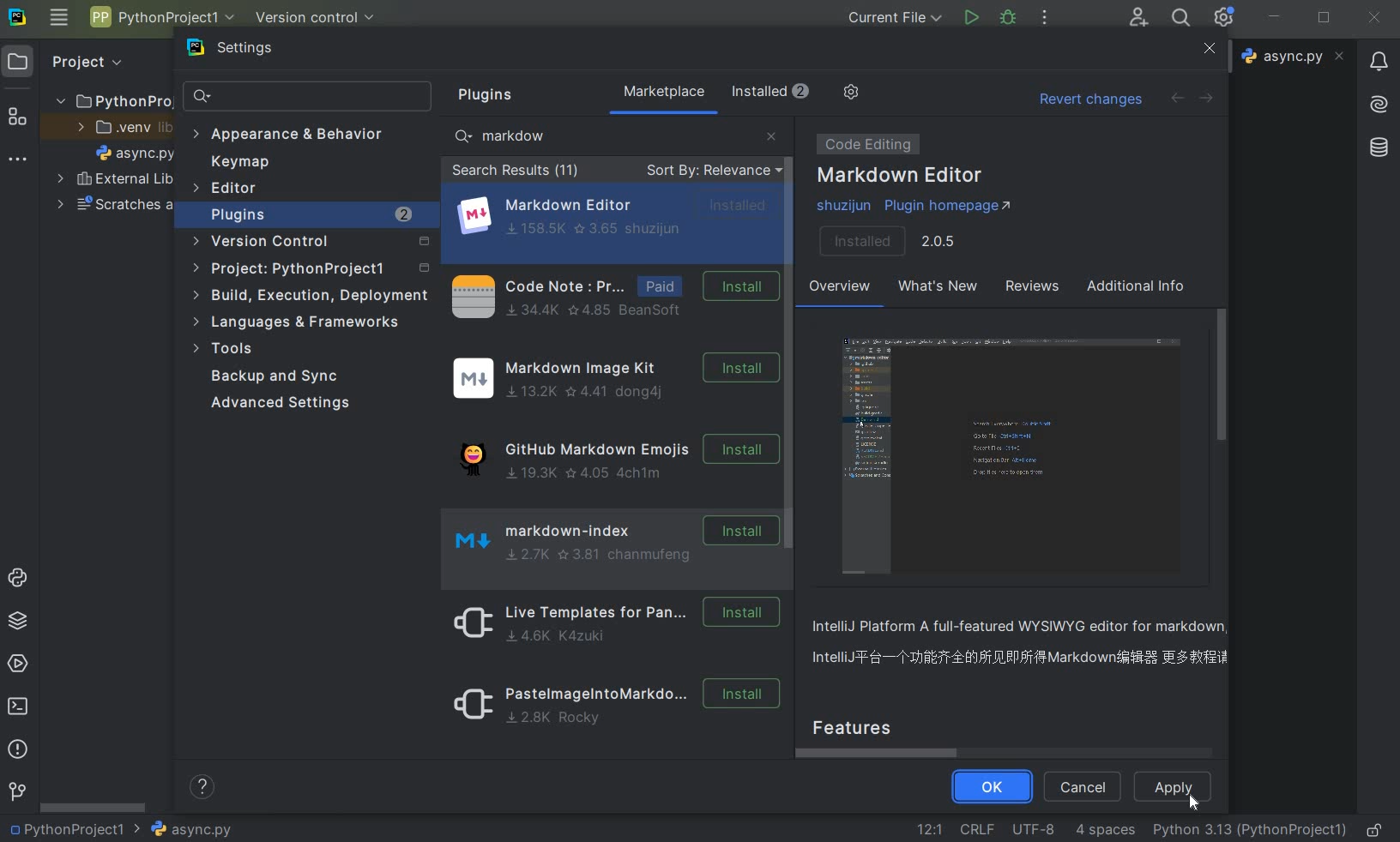 The height and width of the screenshot is (842, 1400). Describe the element at coordinates (516, 172) in the screenshot. I see `search results` at that location.